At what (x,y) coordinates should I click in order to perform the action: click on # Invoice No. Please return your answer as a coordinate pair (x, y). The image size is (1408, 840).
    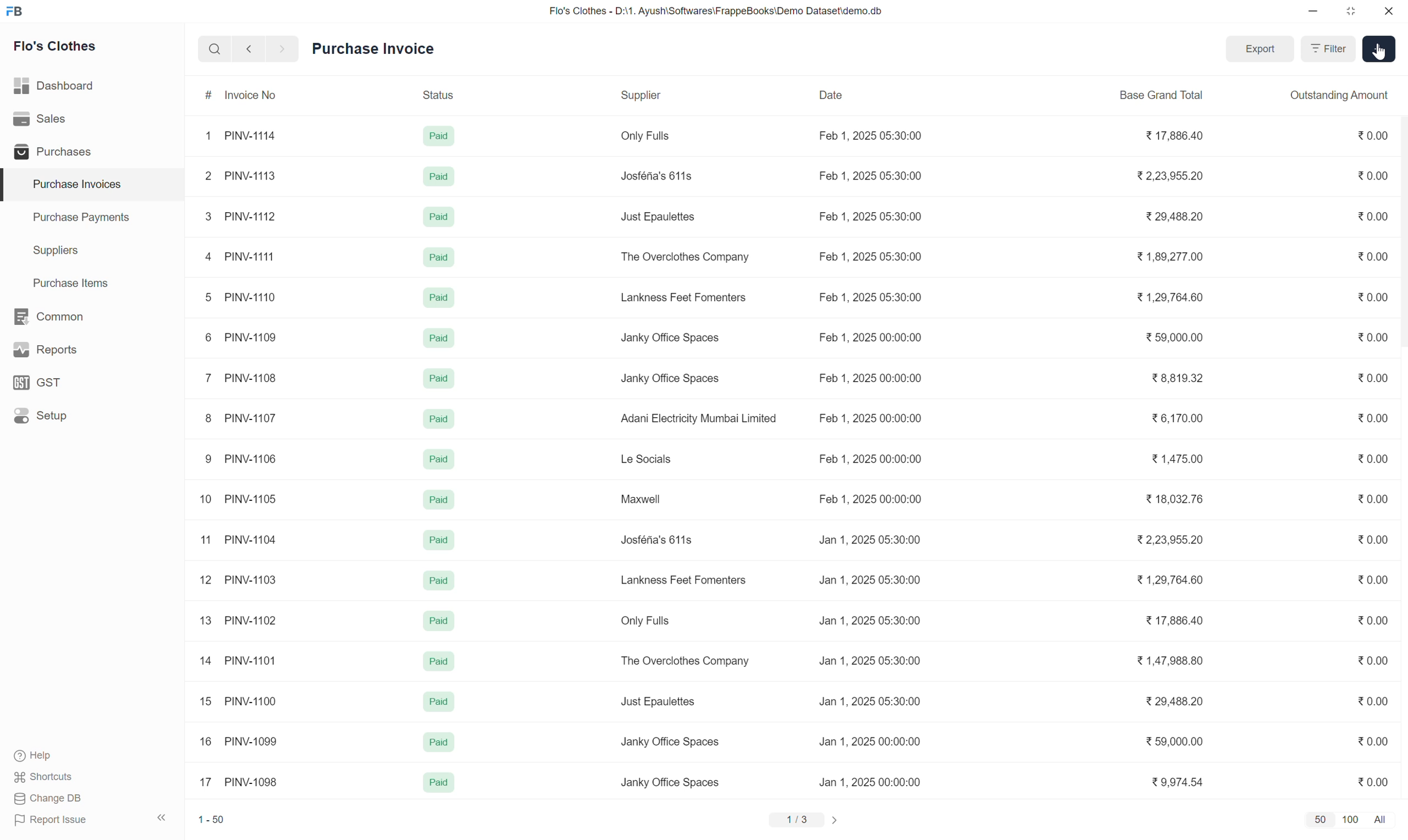
    Looking at the image, I should click on (251, 94).